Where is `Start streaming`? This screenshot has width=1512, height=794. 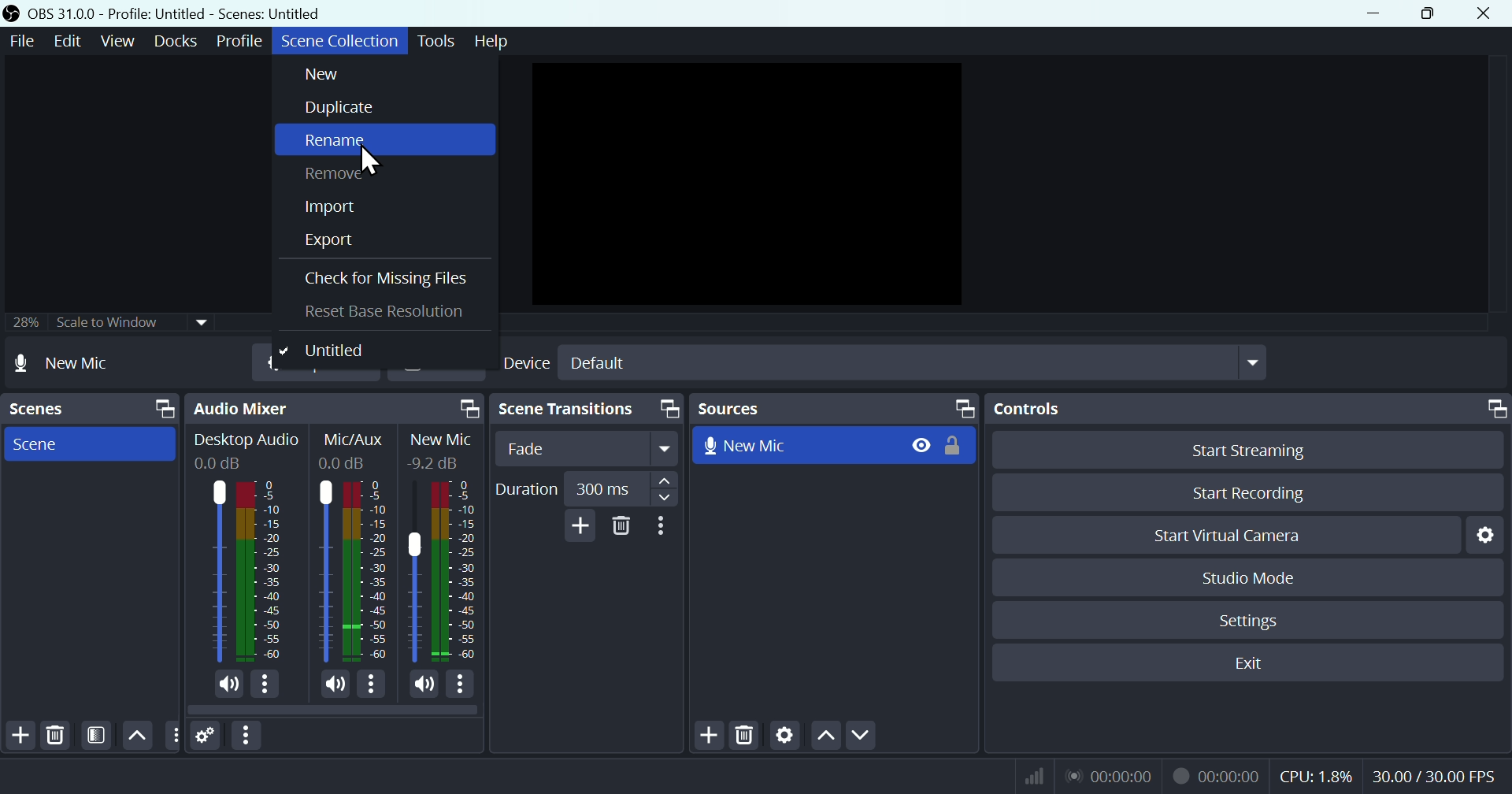 Start streaming is located at coordinates (1250, 448).